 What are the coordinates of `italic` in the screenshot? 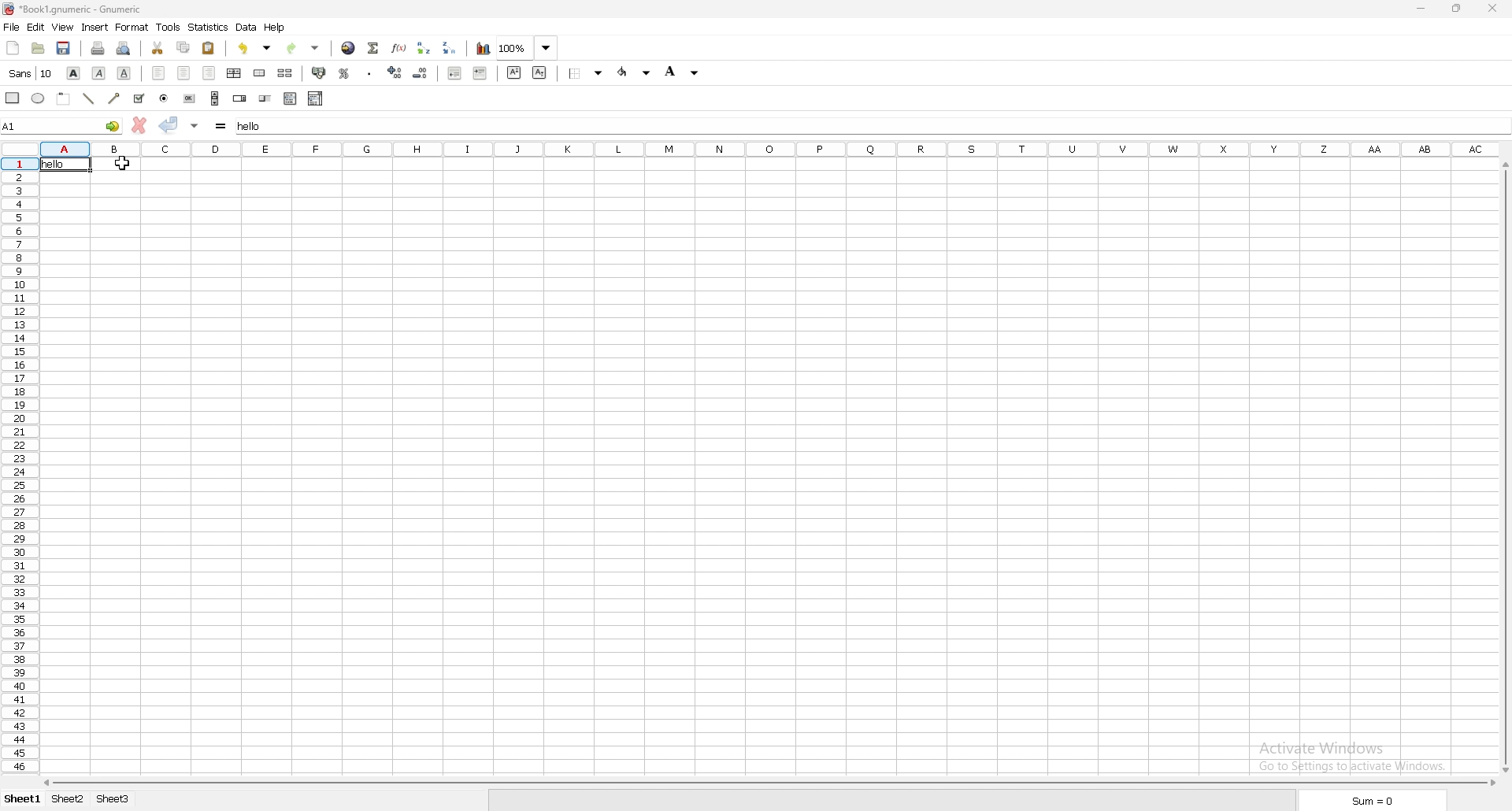 It's located at (99, 74).